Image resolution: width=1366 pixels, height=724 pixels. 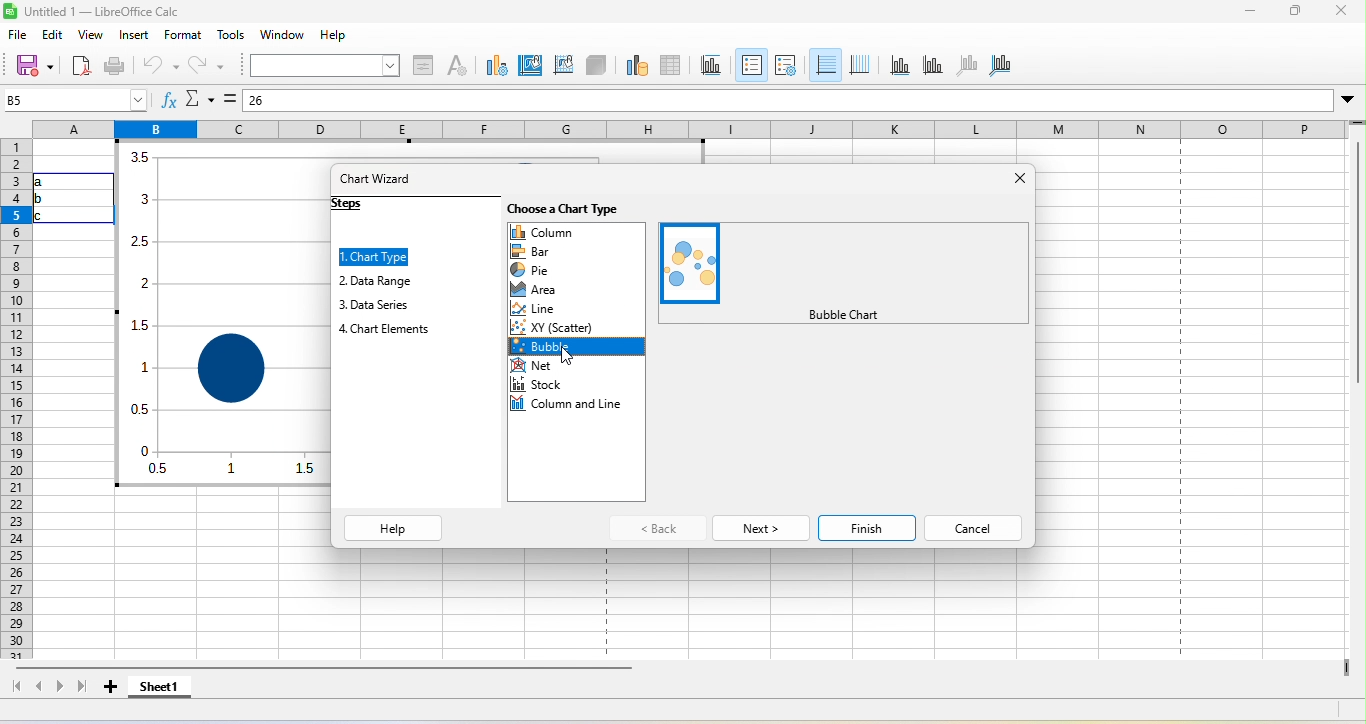 I want to click on save, so click(x=37, y=66).